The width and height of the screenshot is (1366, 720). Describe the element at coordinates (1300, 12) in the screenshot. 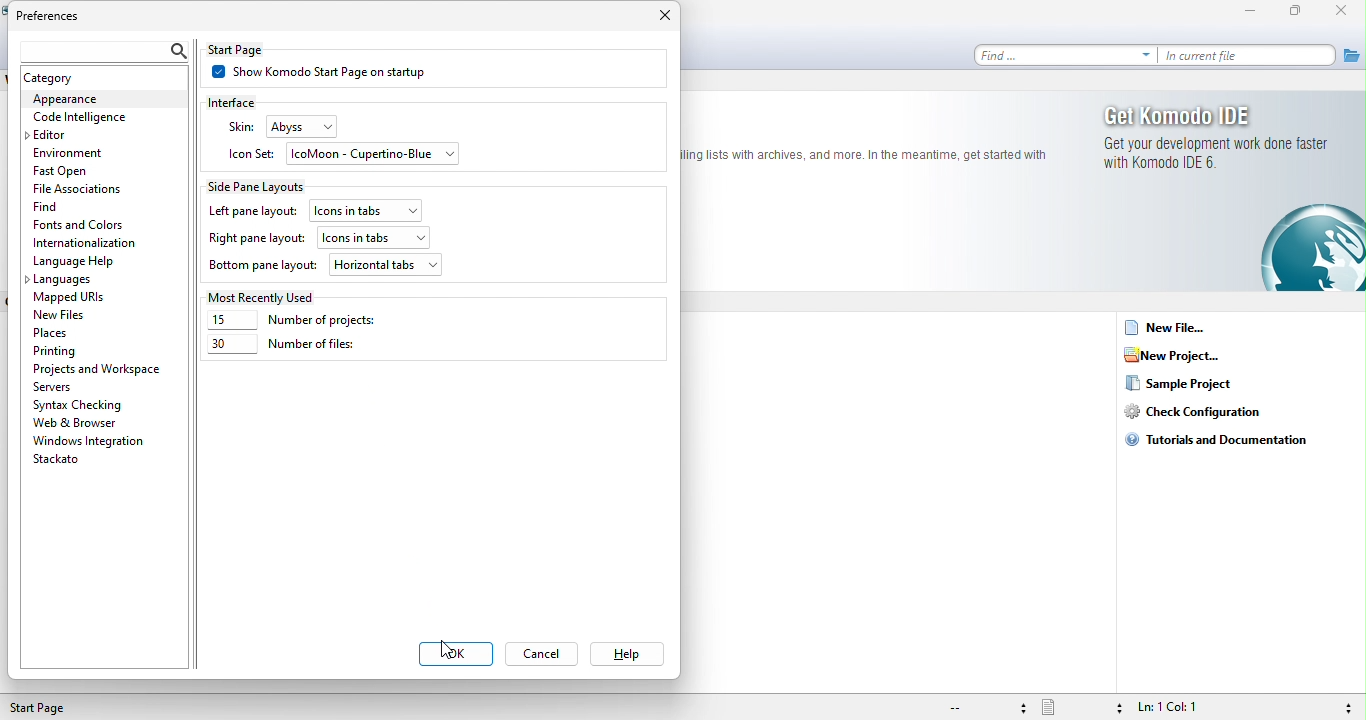

I see `maximize` at that location.